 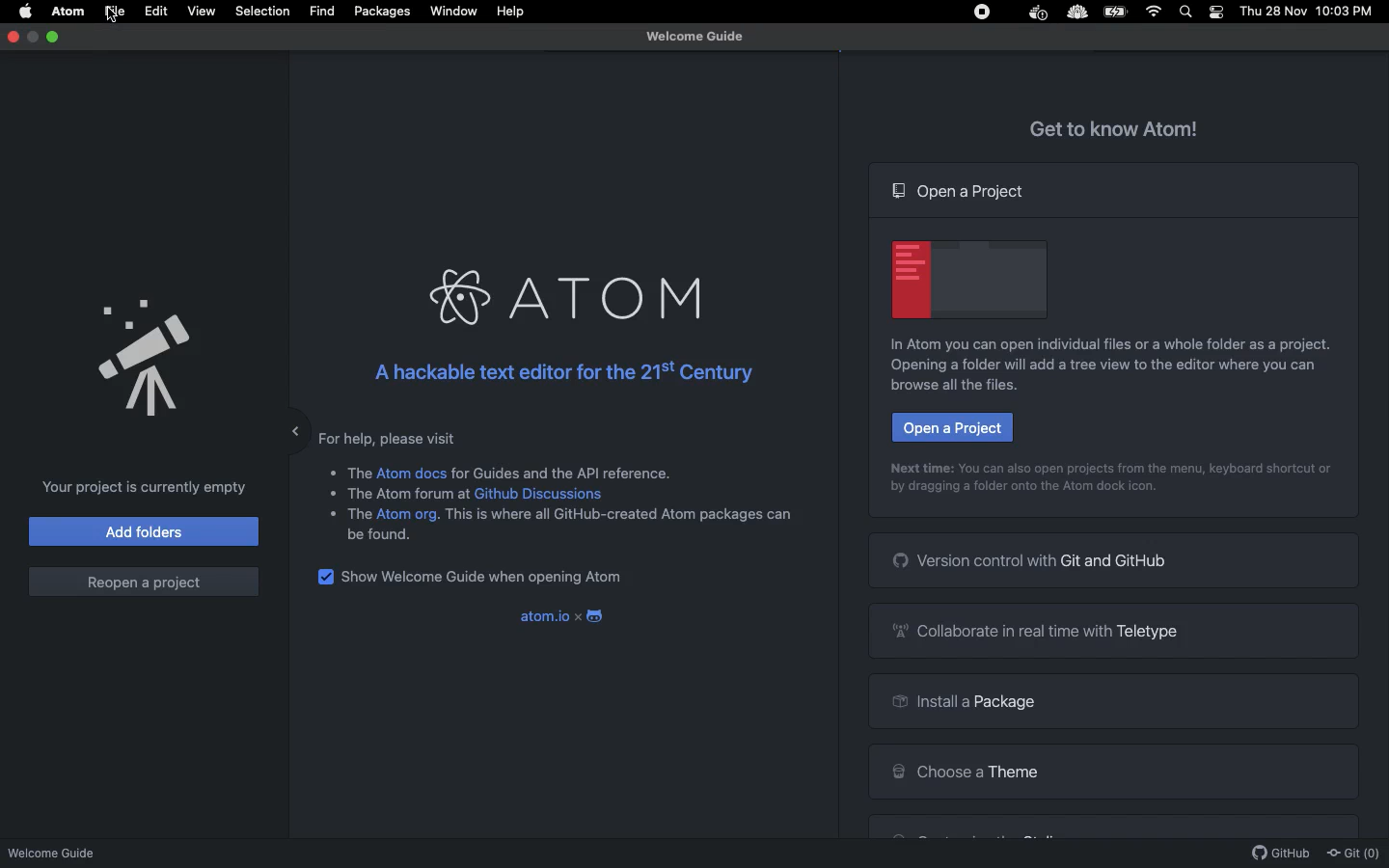 What do you see at coordinates (542, 616) in the screenshot?
I see `atom.io ` at bounding box center [542, 616].